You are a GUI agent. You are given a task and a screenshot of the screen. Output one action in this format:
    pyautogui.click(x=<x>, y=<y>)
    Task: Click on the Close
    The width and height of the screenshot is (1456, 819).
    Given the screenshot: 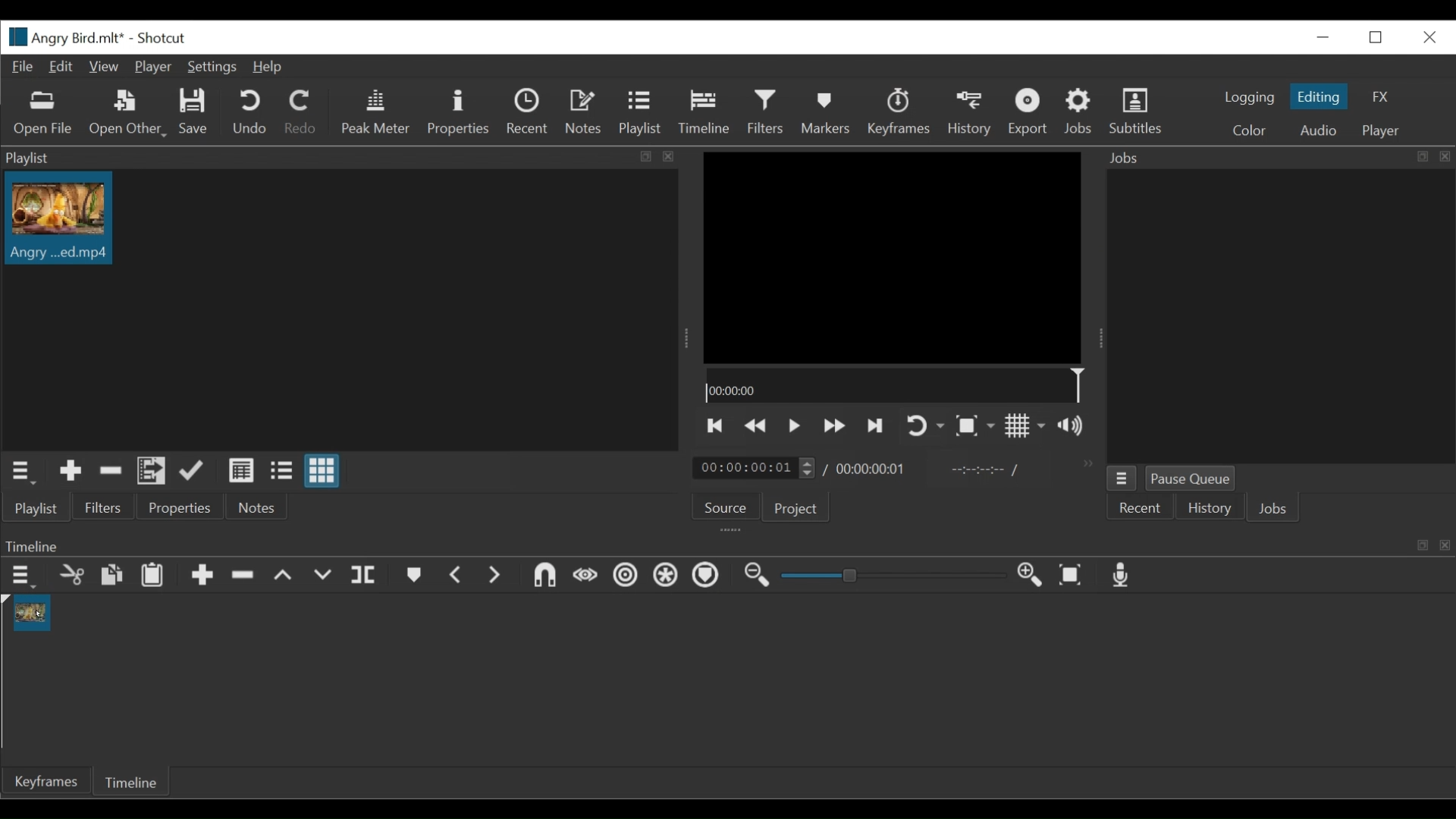 What is the action you would take?
    pyautogui.click(x=1325, y=37)
    